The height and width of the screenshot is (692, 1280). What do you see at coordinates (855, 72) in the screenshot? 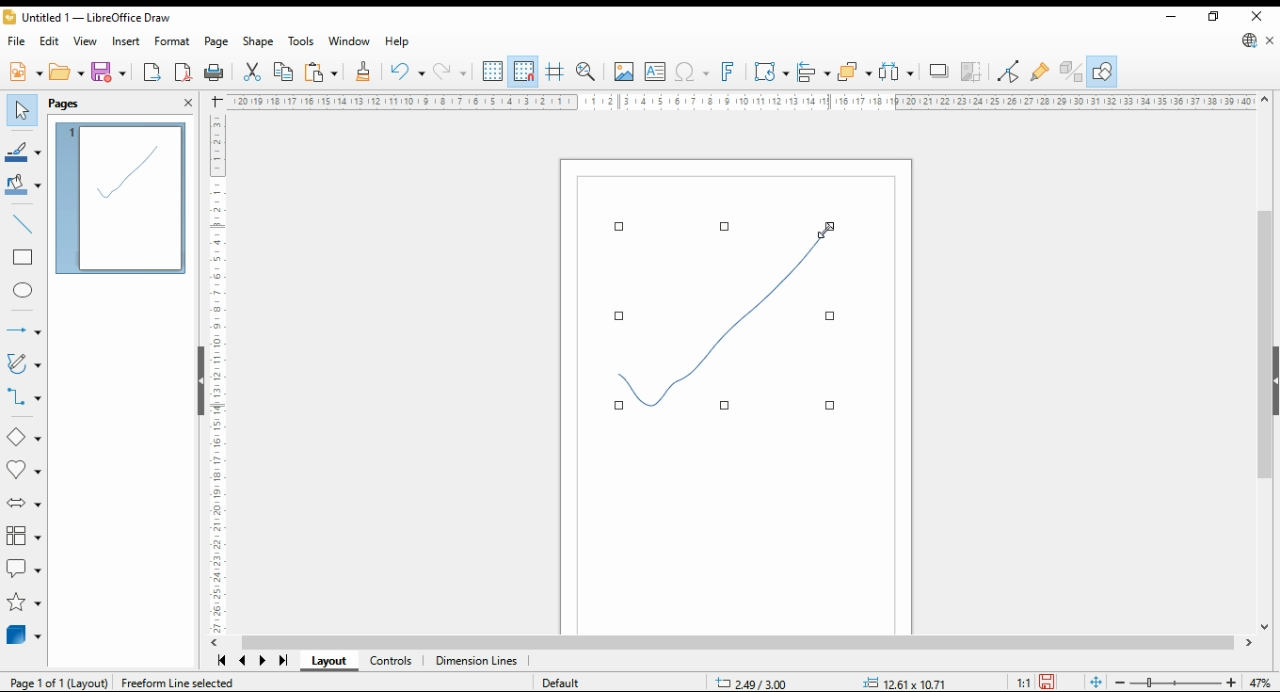
I see `arrange` at bounding box center [855, 72].